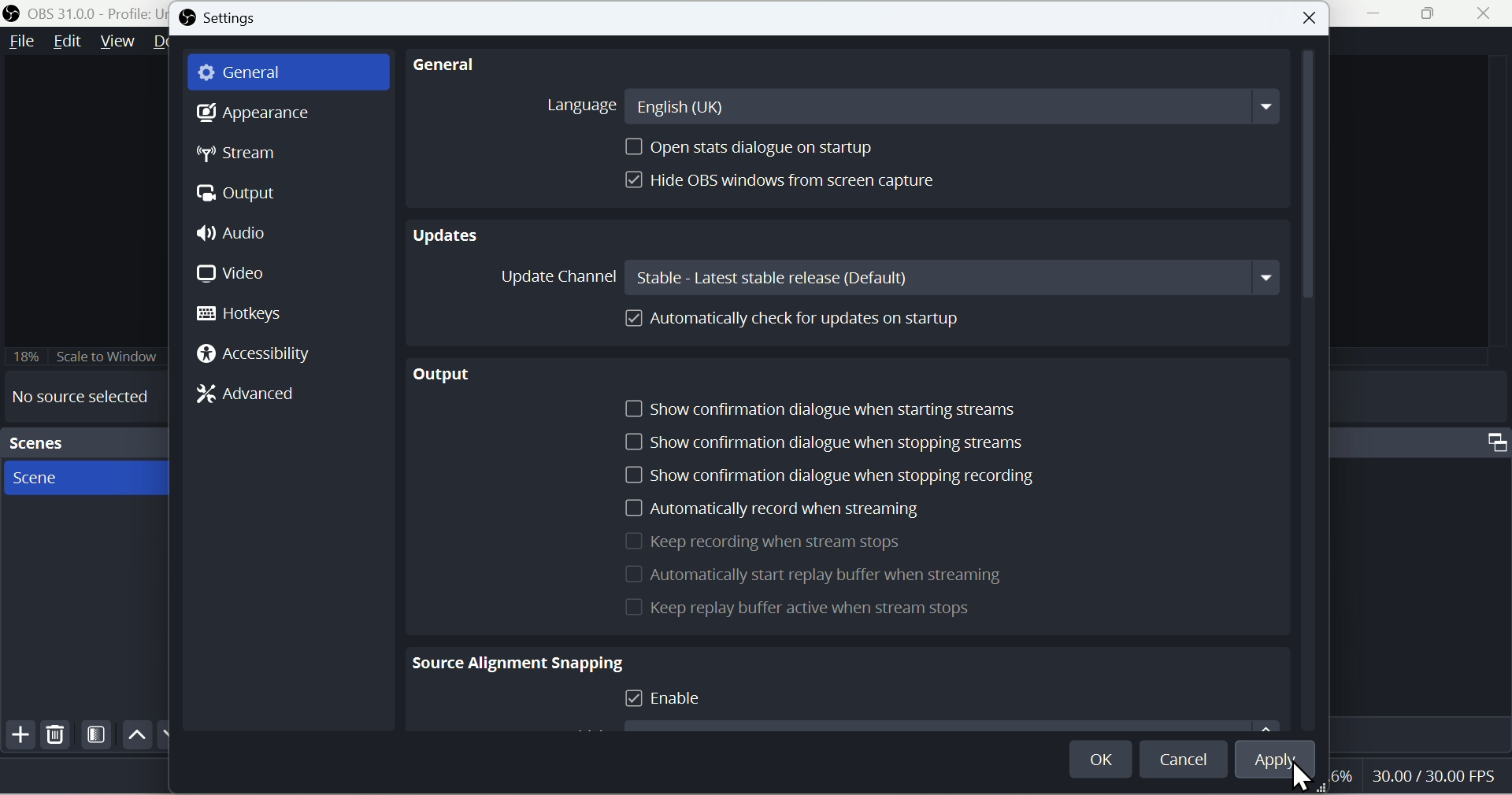 The image size is (1512, 795). Describe the element at coordinates (251, 398) in the screenshot. I see `Advanced` at that location.